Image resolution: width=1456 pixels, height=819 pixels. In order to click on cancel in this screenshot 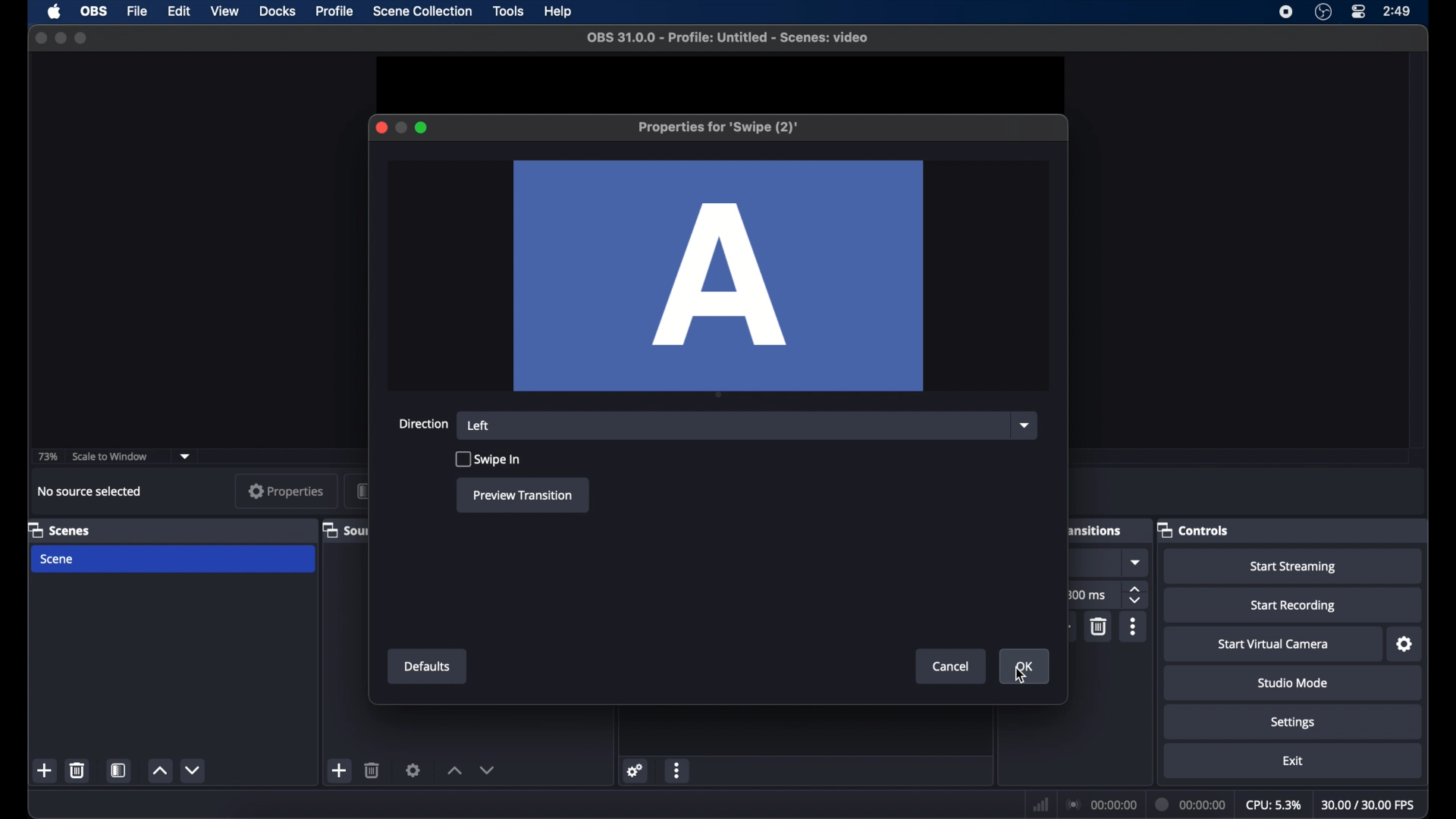, I will do `click(952, 667)`.